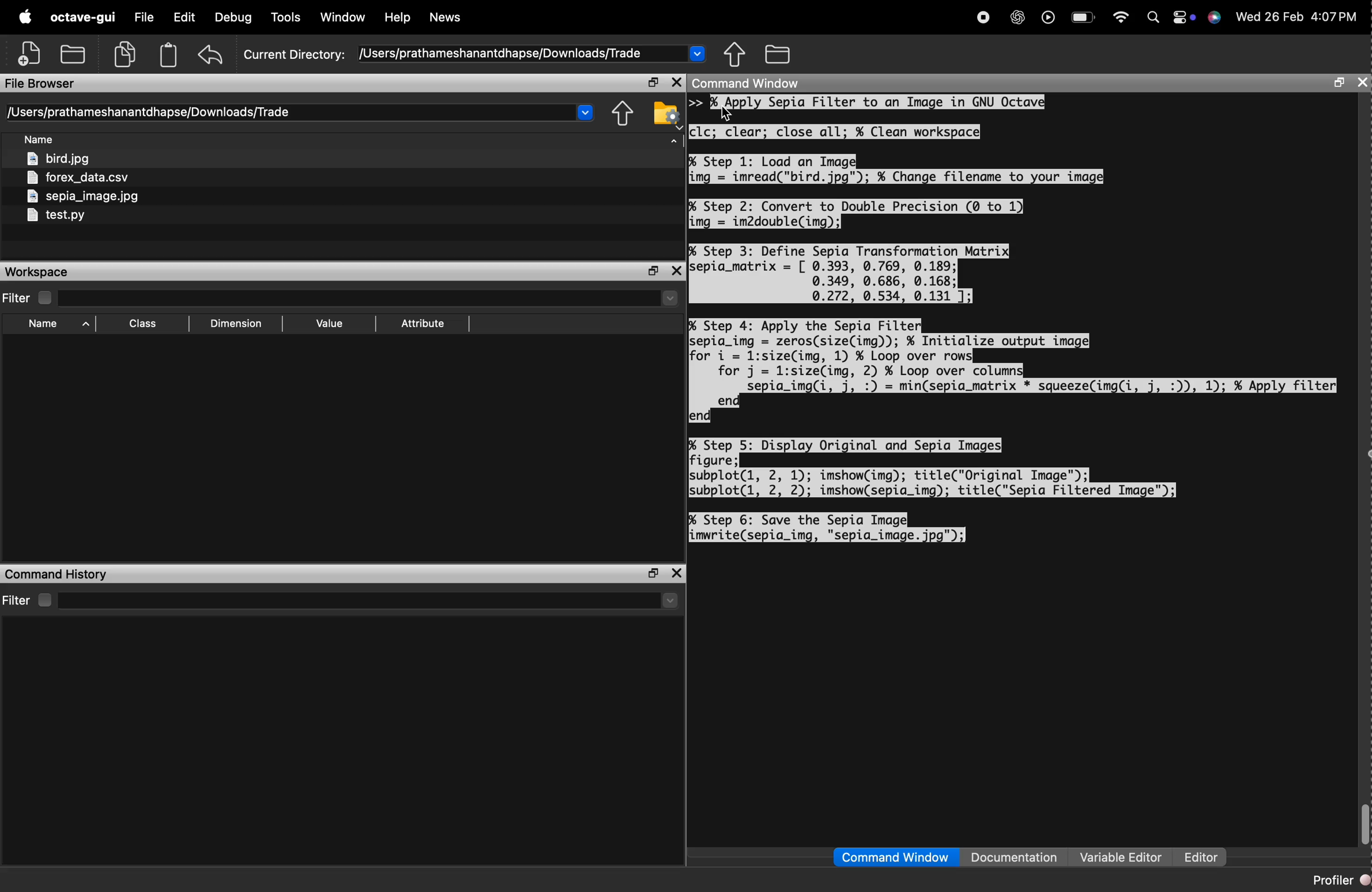 The height and width of the screenshot is (892, 1372). What do you see at coordinates (1017, 18) in the screenshot?
I see `chatgpt` at bounding box center [1017, 18].